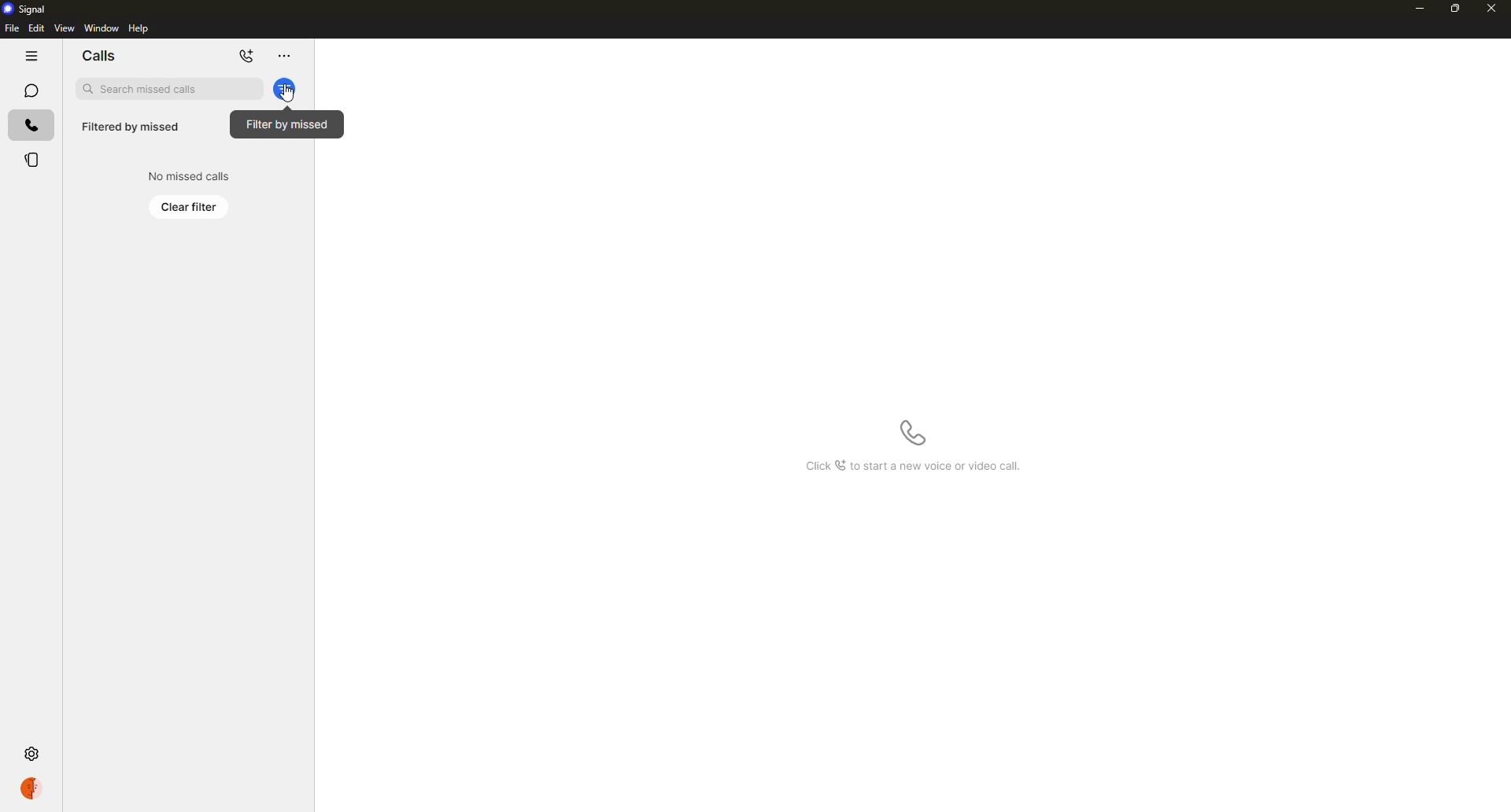 The height and width of the screenshot is (812, 1511). What do you see at coordinates (1493, 9) in the screenshot?
I see `close` at bounding box center [1493, 9].